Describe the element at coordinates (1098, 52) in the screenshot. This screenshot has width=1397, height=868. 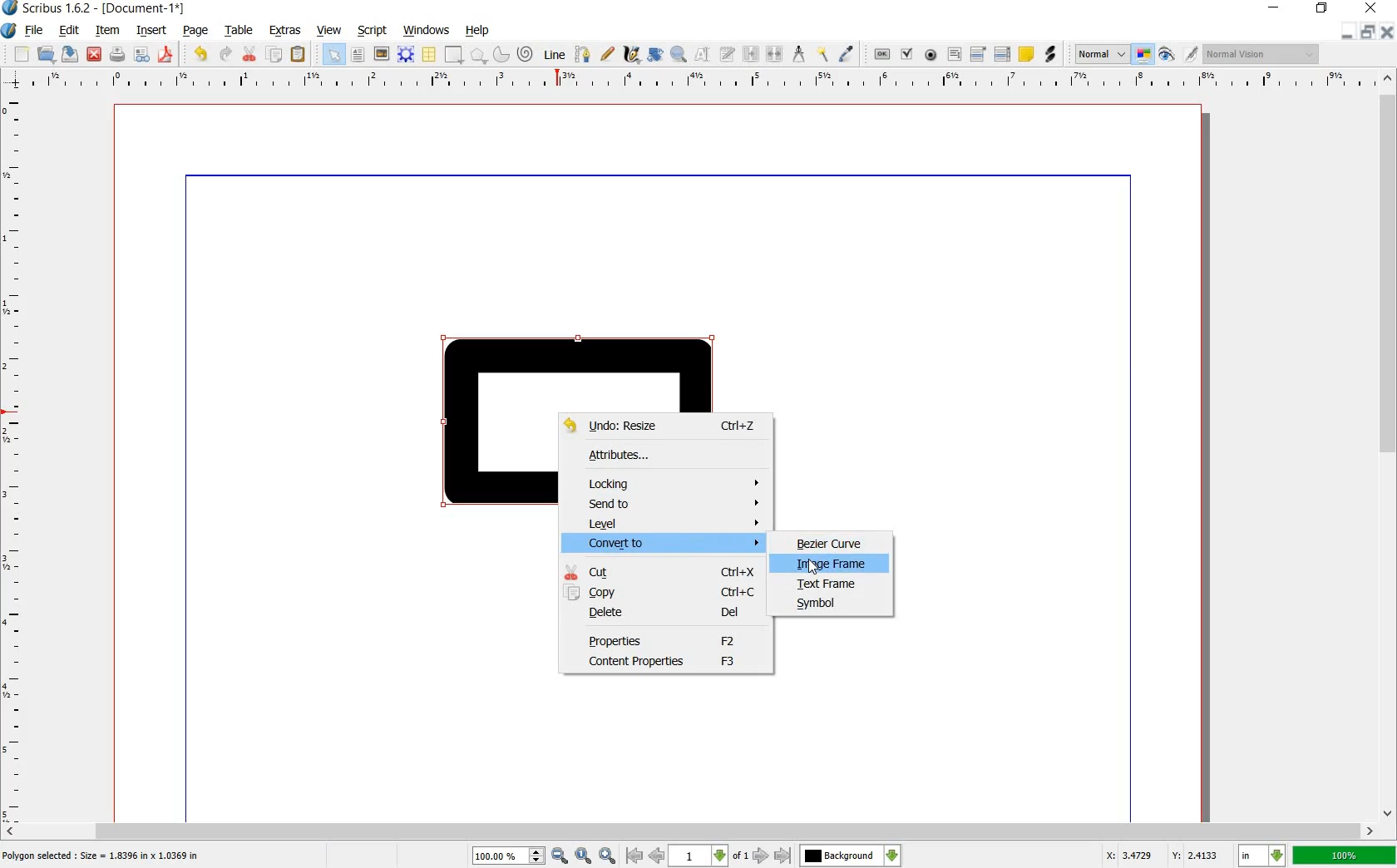
I see `select the image preview quality` at that location.